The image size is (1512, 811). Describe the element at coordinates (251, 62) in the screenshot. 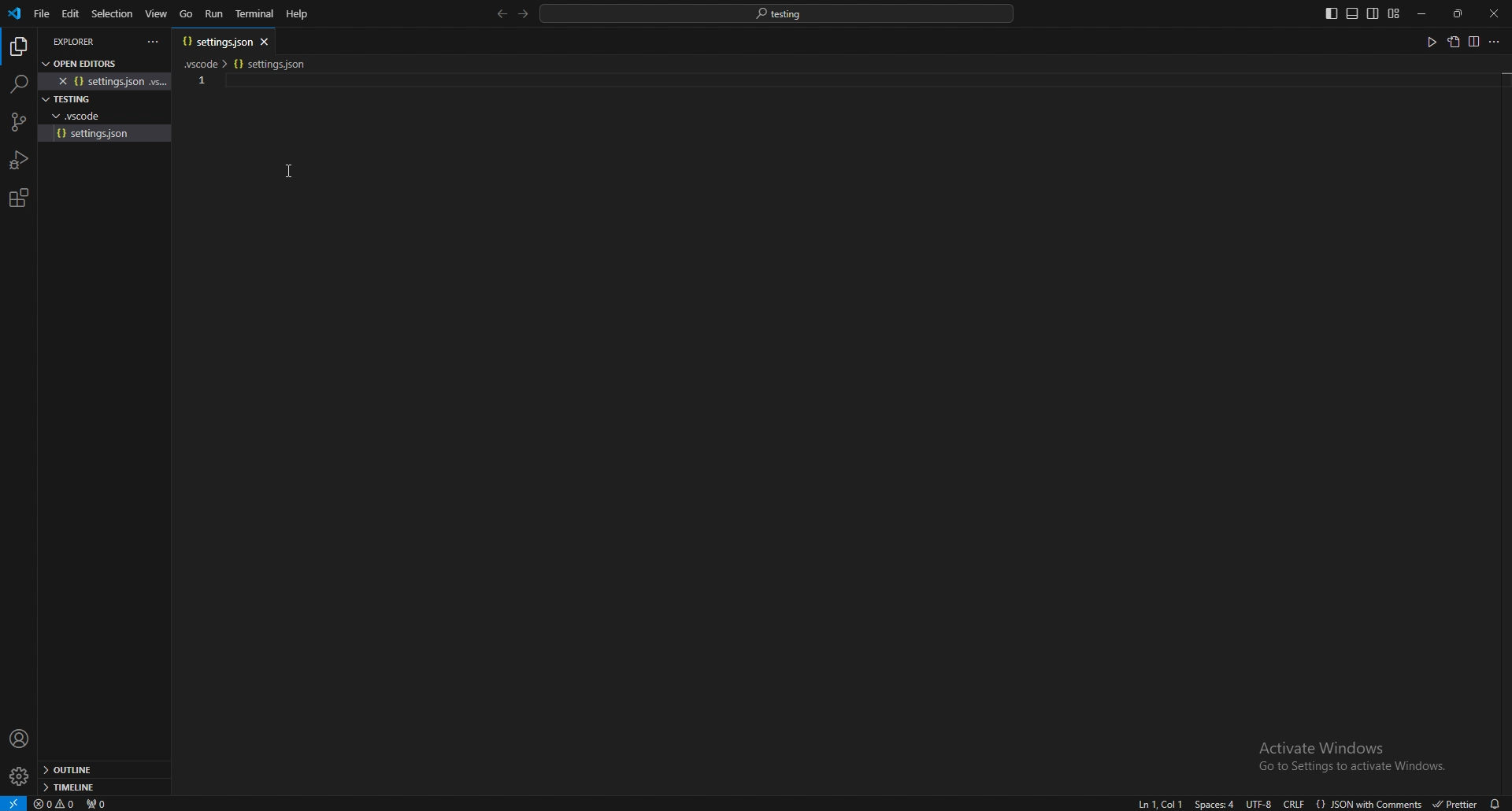

I see `path` at that location.